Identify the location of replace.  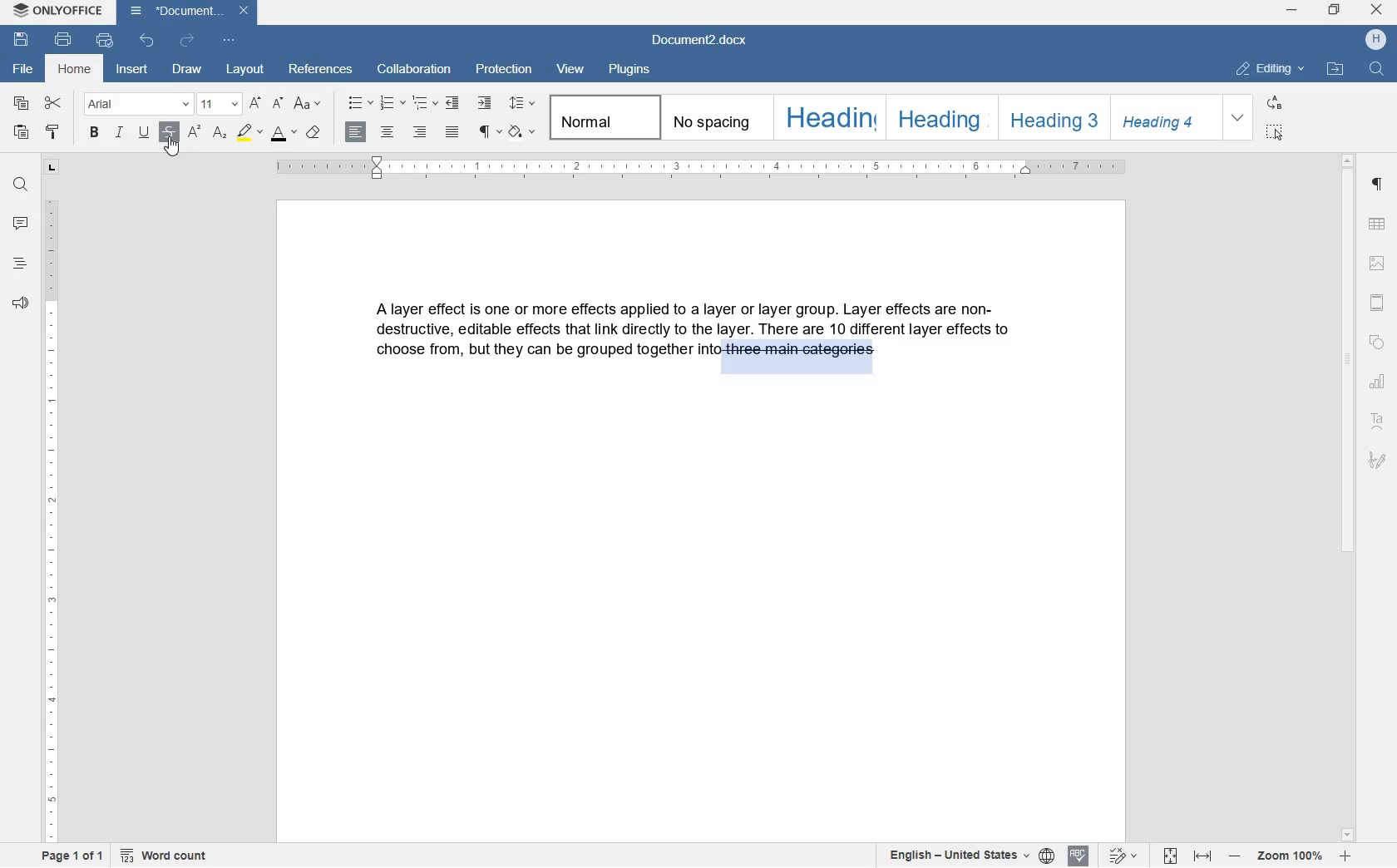
(1276, 104).